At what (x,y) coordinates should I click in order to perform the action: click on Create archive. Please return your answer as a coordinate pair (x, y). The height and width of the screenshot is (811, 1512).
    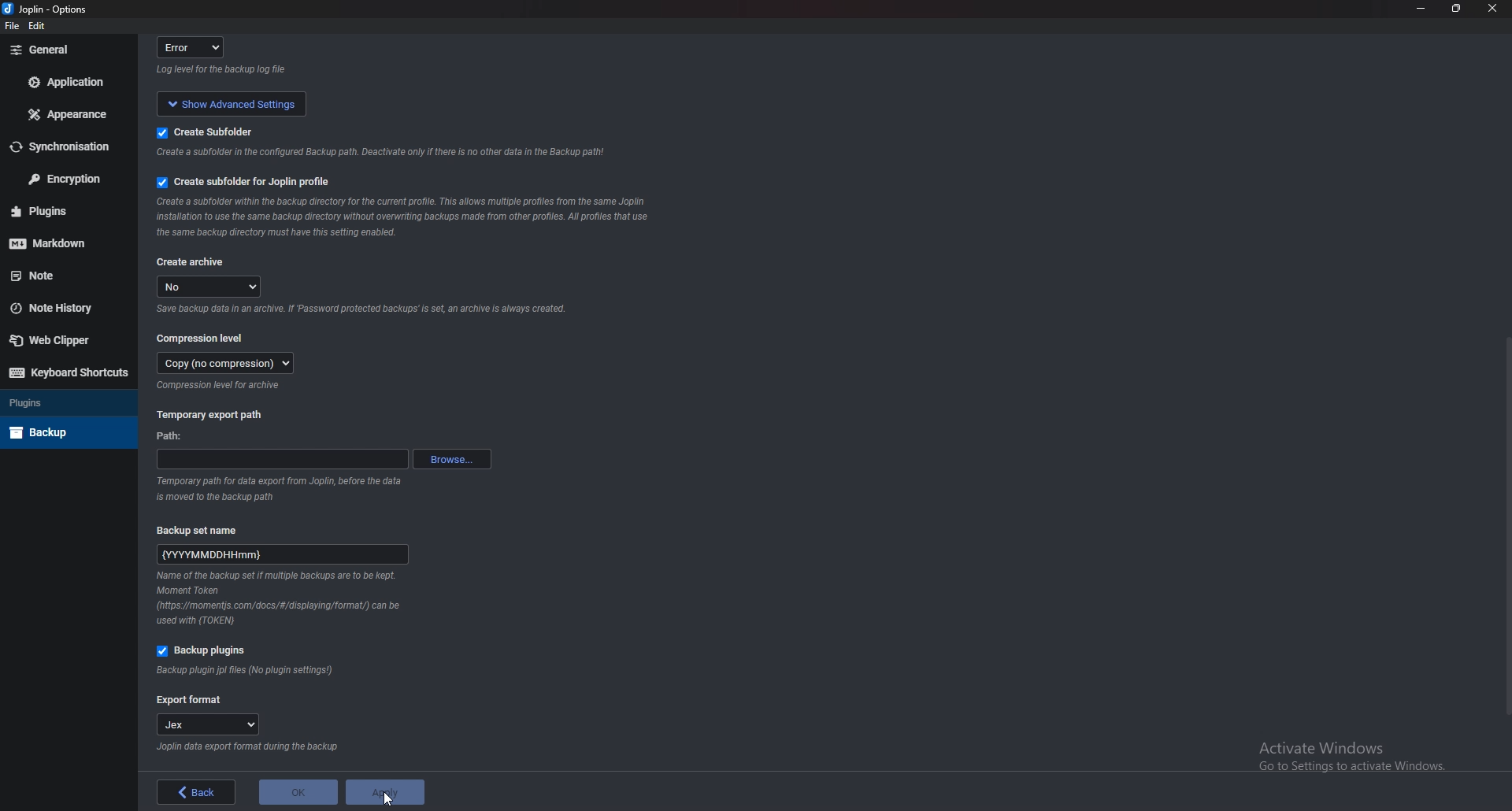
    Looking at the image, I should click on (191, 263).